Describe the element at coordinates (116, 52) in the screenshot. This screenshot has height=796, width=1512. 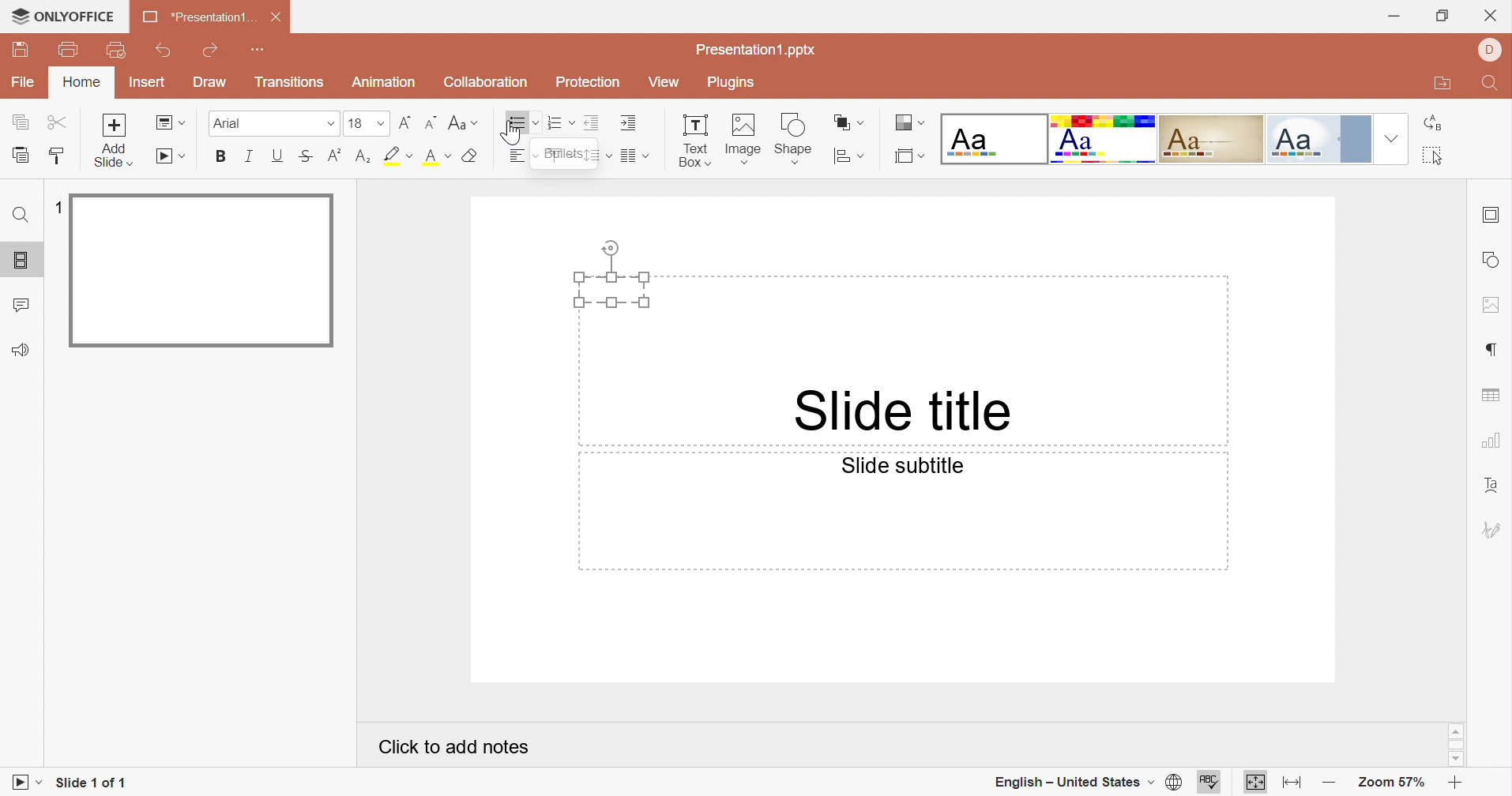
I see `Quick Print` at that location.